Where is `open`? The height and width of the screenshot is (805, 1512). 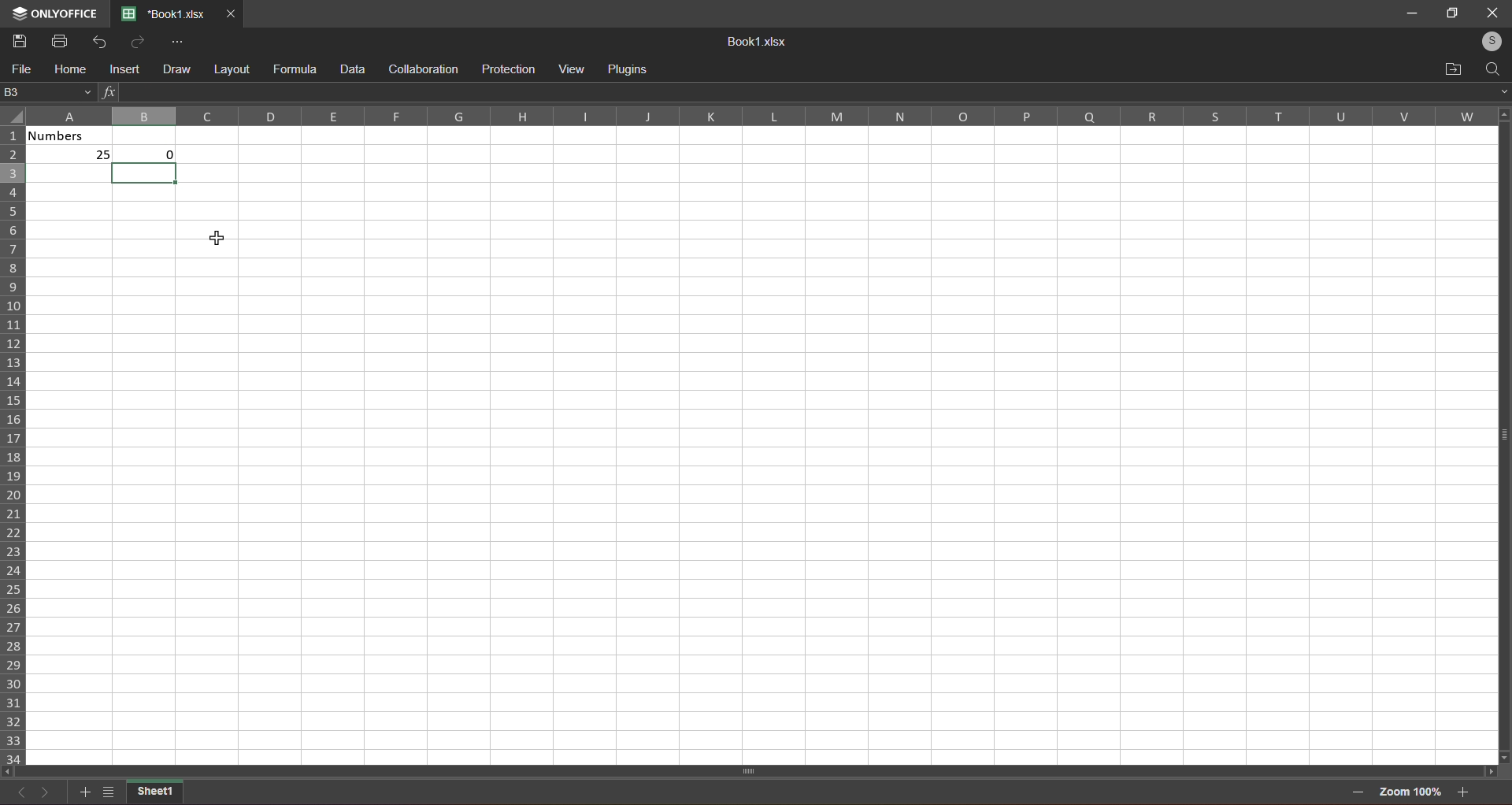 open is located at coordinates (1451, 67).